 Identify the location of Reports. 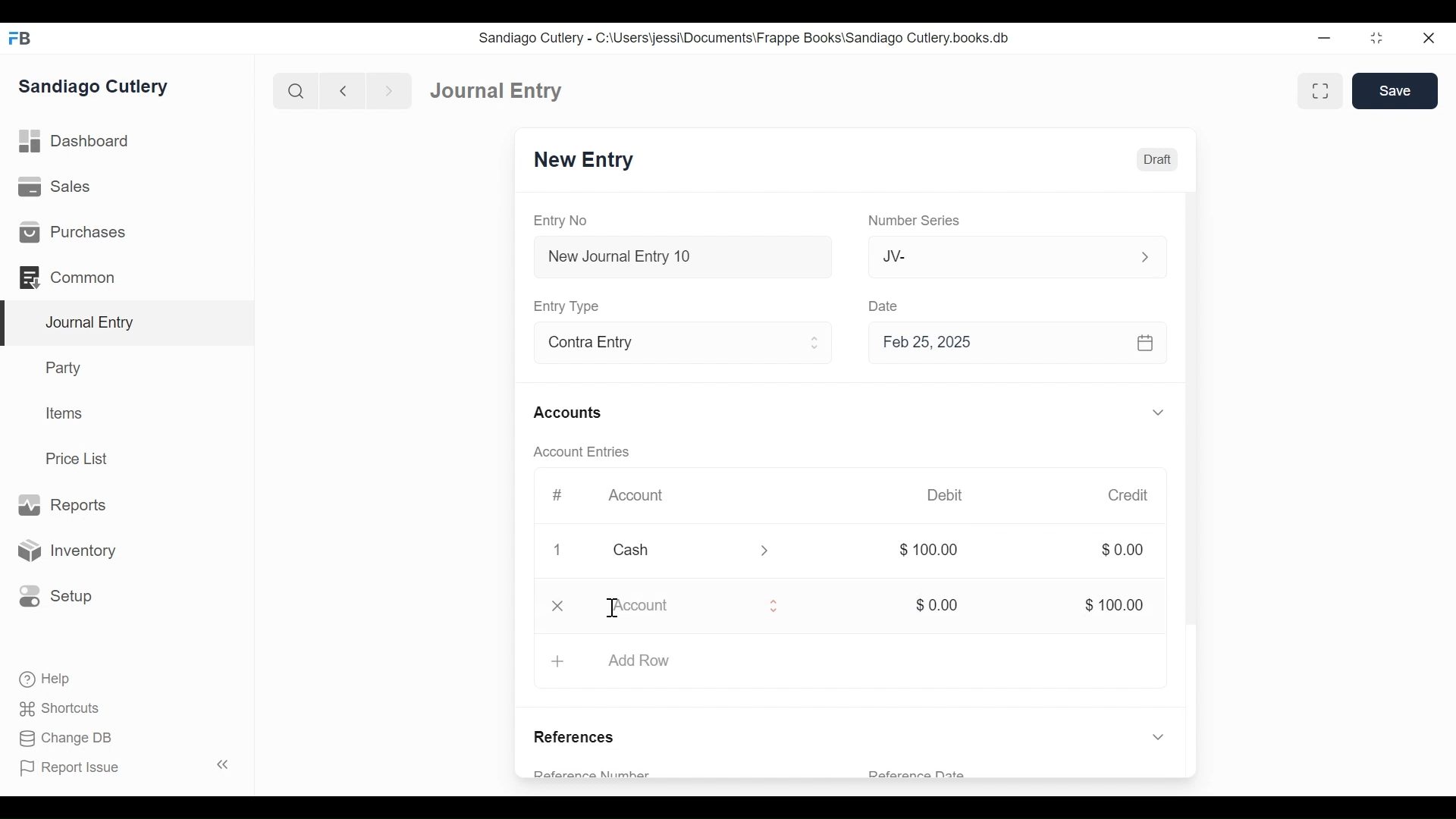
(61, 504).